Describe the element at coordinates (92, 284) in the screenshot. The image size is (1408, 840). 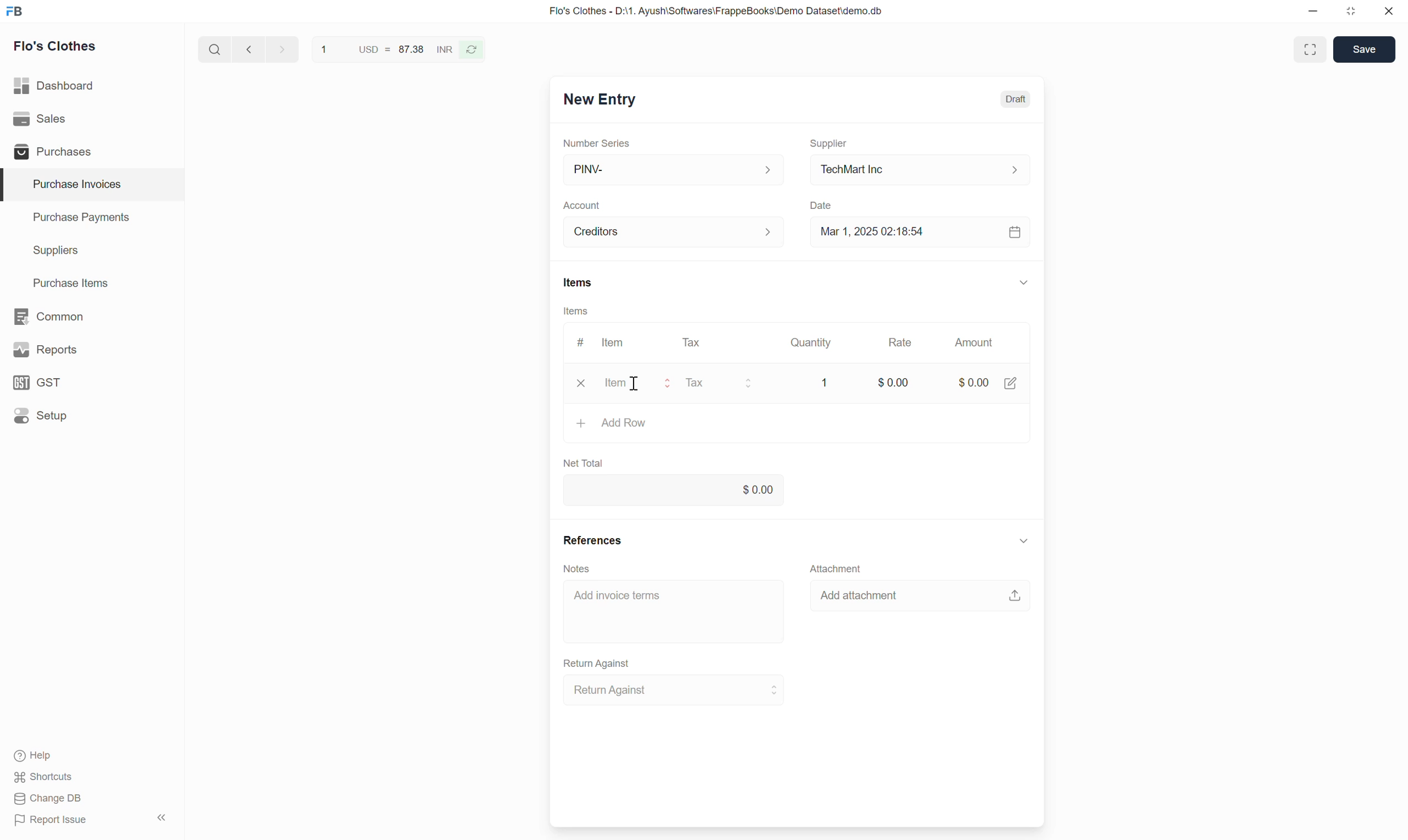
I see `Purchase Items` at that location.